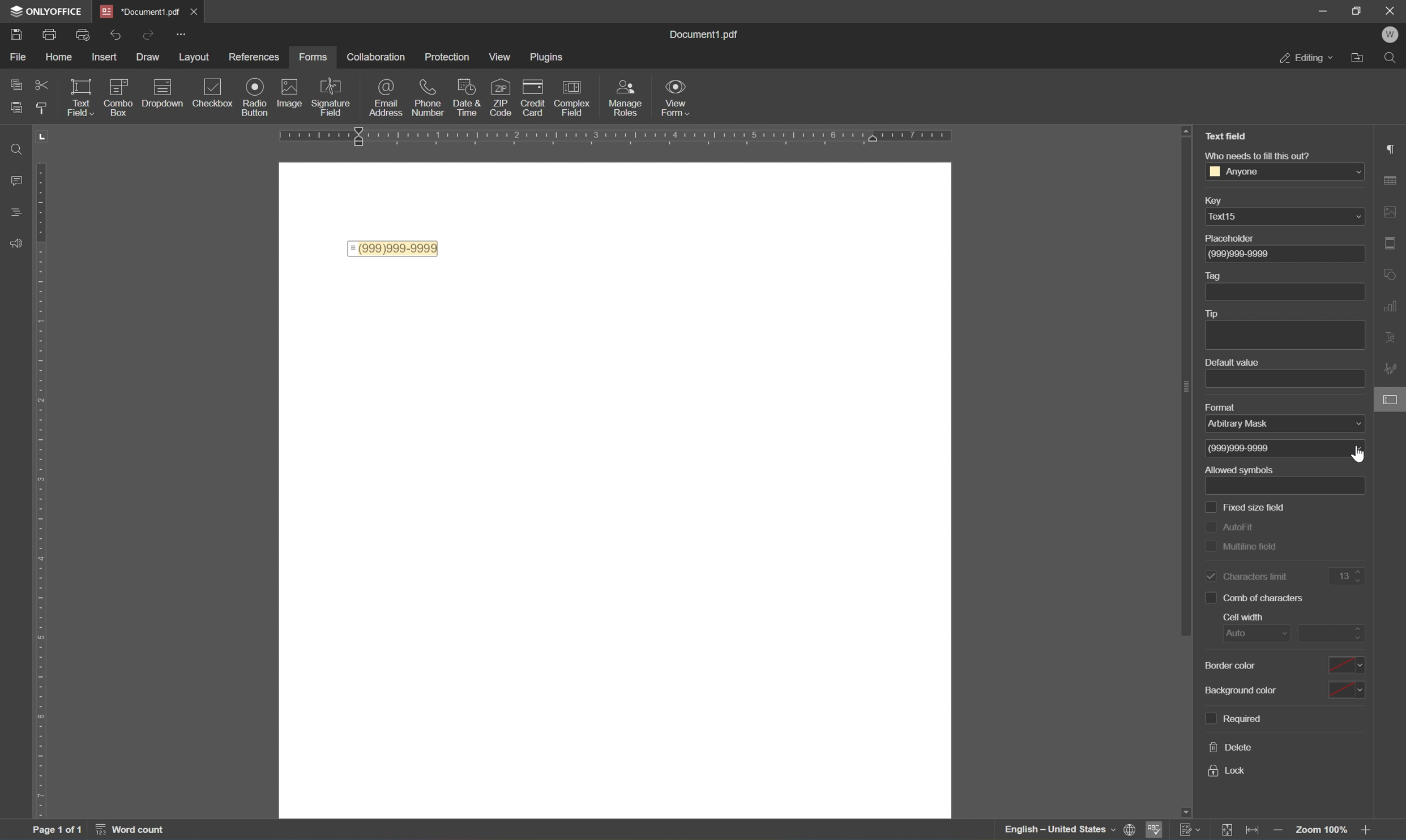  I want to click on Tip, so click(1213, 314).